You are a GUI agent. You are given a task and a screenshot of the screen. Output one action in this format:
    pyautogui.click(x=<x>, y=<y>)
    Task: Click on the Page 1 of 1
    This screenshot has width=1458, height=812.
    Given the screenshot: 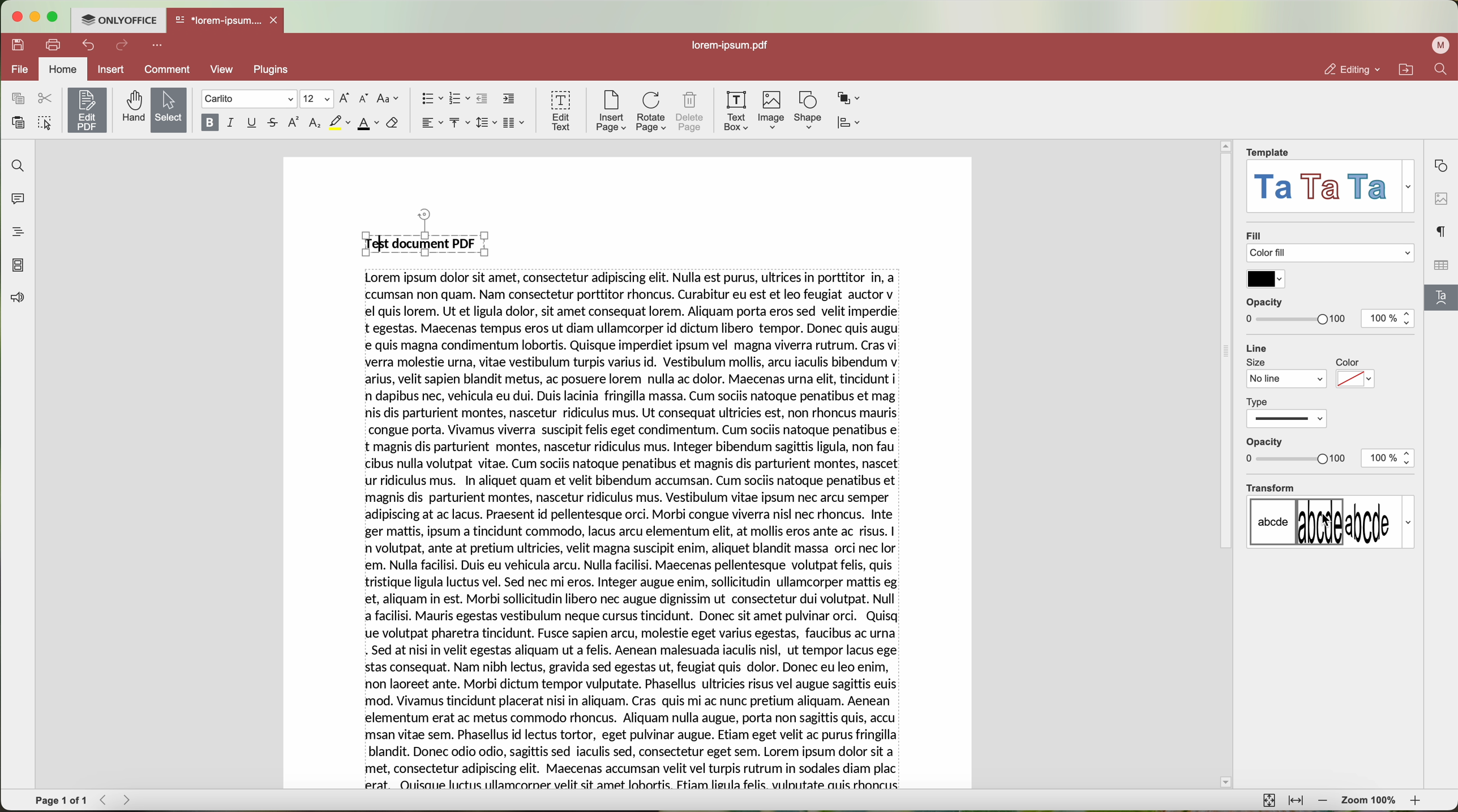 What is the action you would take?
    pyautogui.click(x=61, y=801)
    